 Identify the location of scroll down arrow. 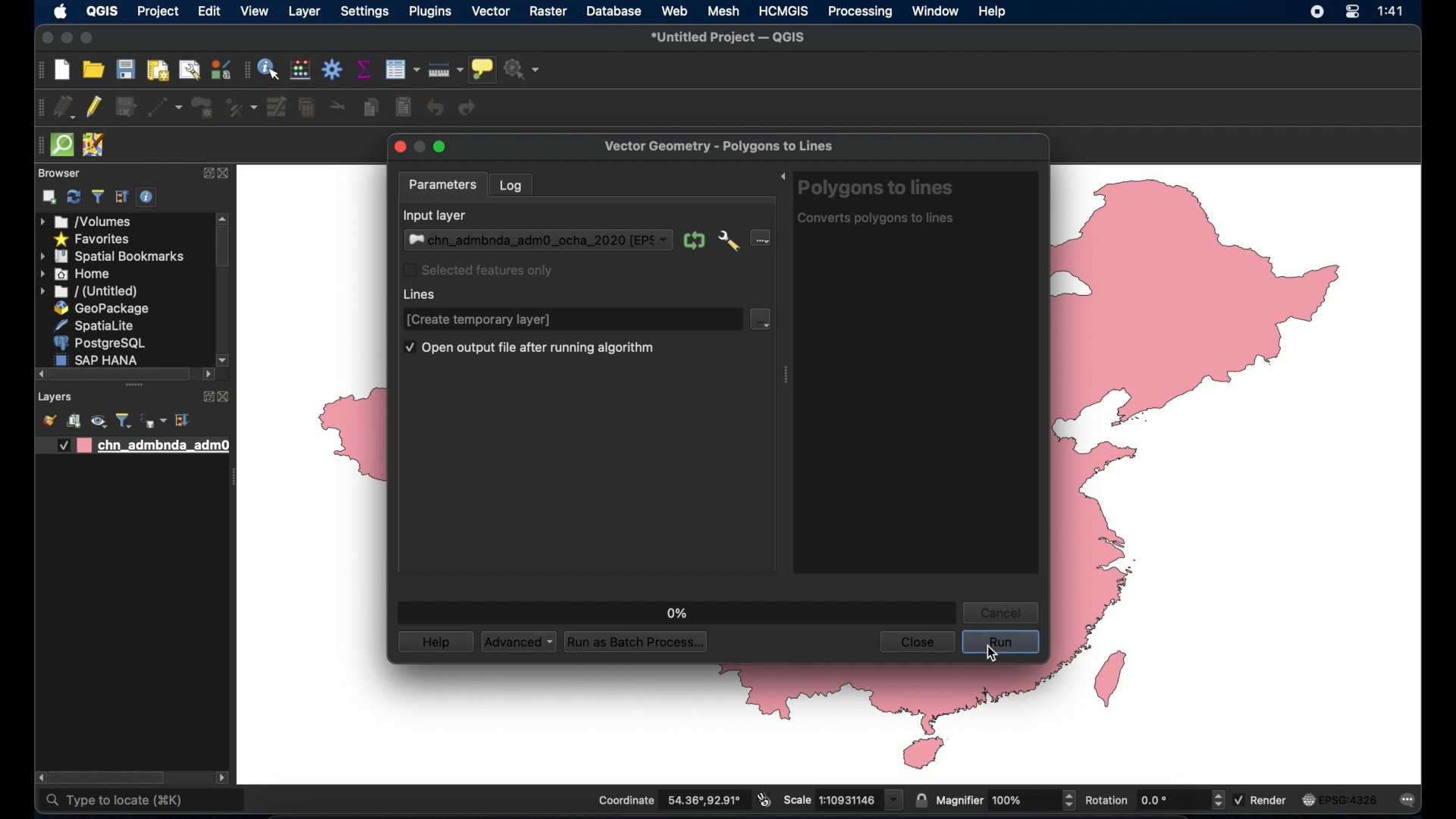
(224, 359).